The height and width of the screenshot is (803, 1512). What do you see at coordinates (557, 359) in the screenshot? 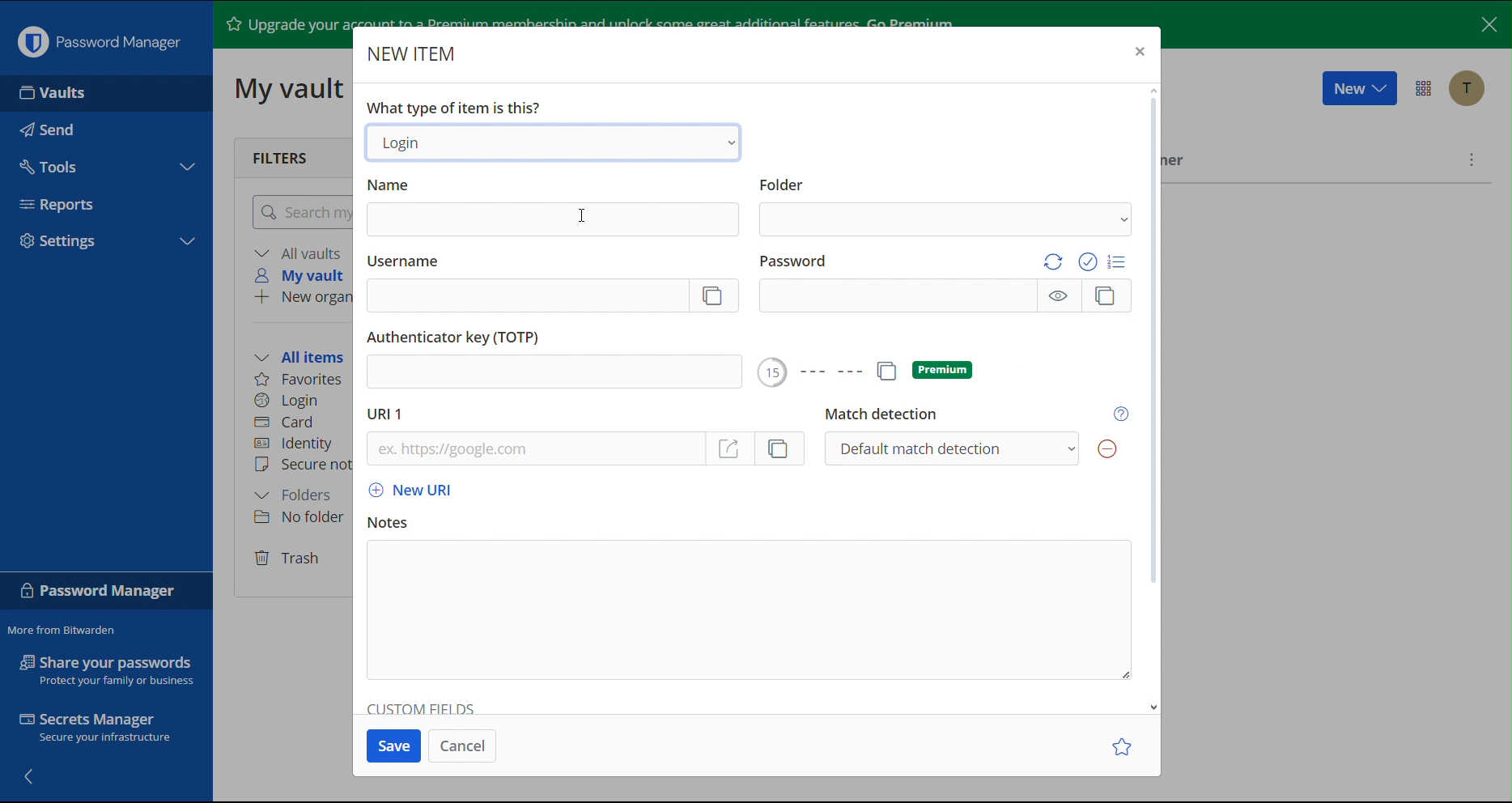
I see `Authenticator key` at bounding box center [557, 359].